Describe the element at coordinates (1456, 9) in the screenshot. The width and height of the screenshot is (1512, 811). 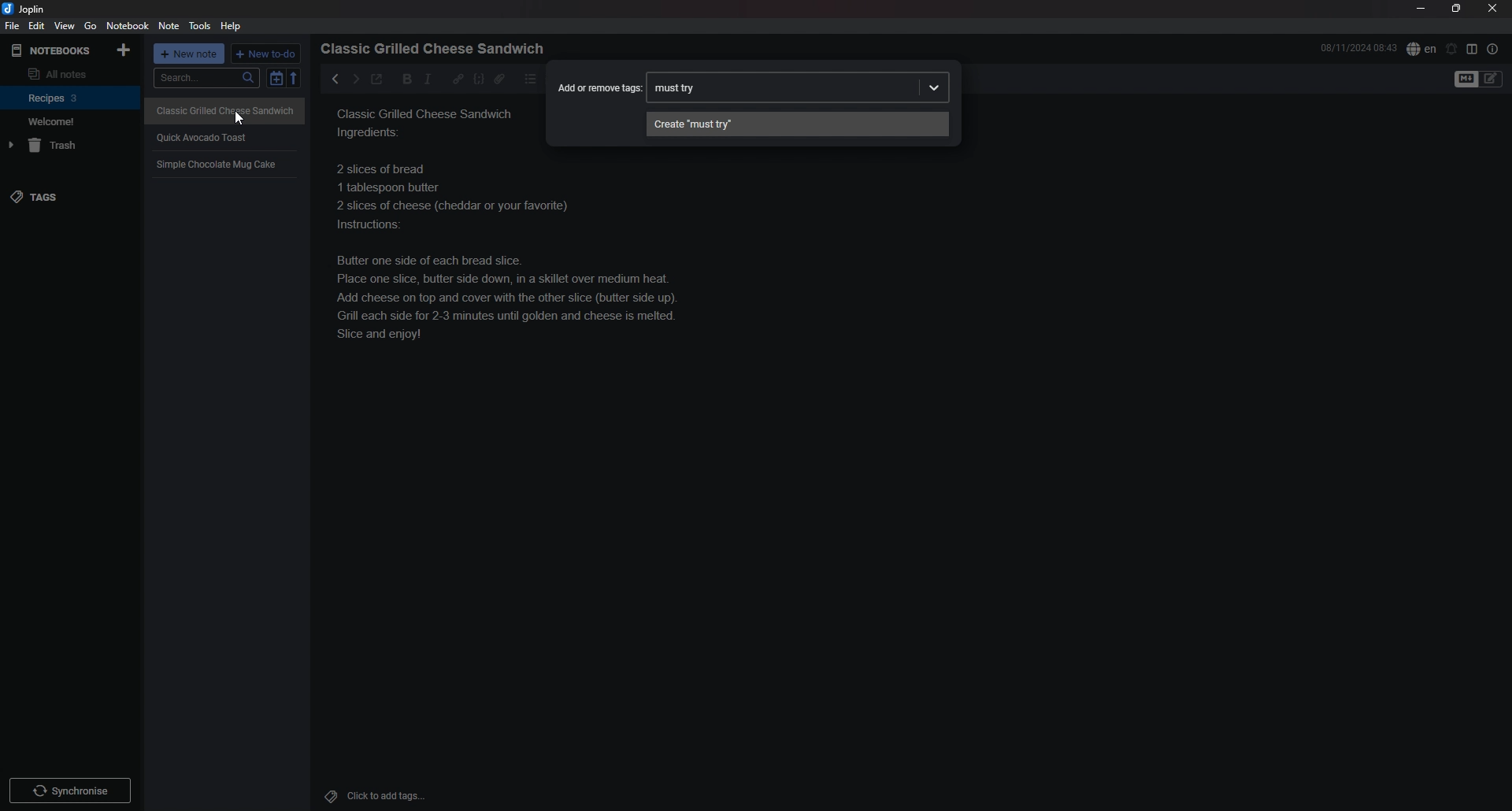
I see `resize` at that location.